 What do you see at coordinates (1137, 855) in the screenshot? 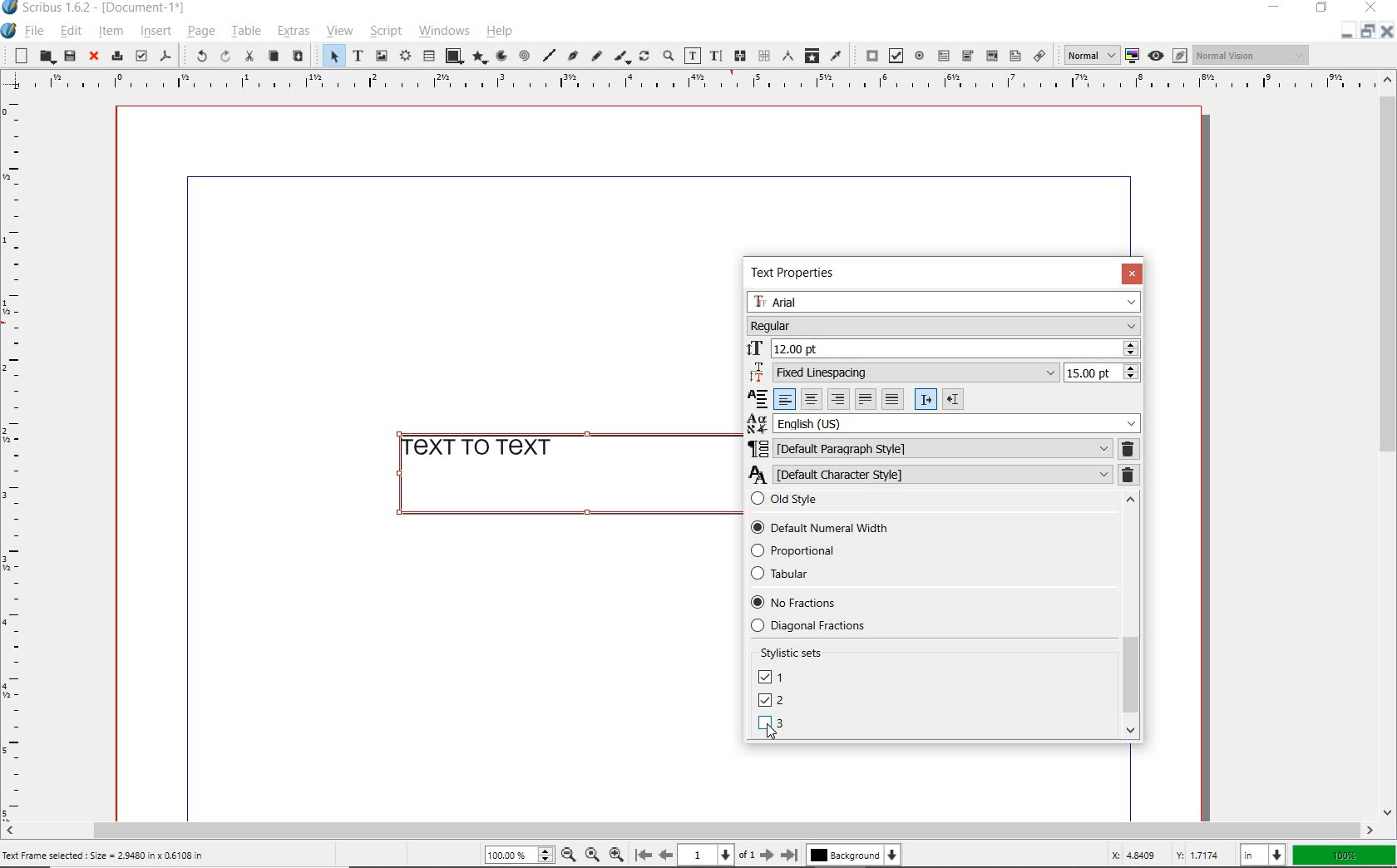
I see `X: 4.8409` at bounding box center [1137, 855].